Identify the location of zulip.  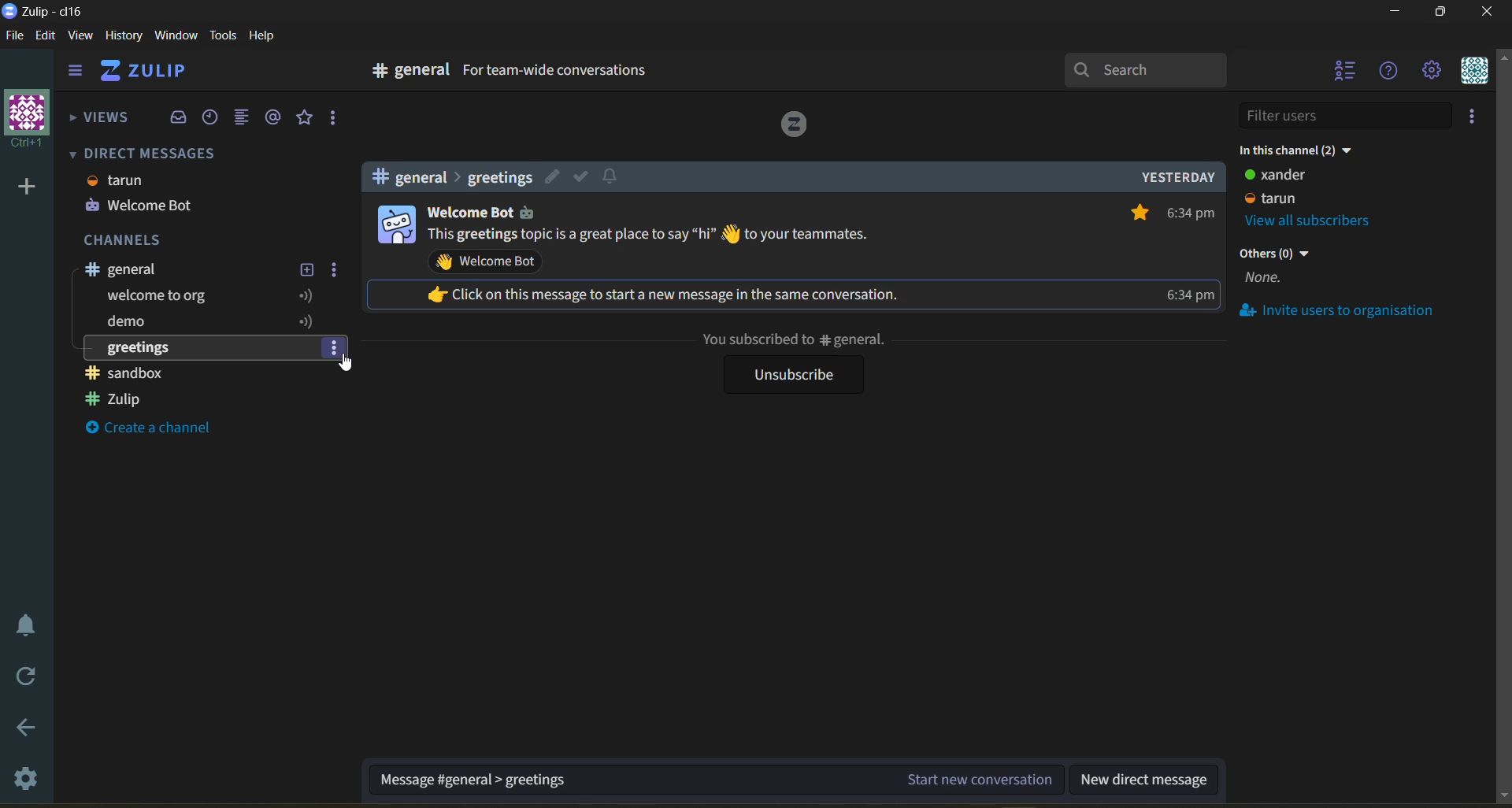
(128, 399).